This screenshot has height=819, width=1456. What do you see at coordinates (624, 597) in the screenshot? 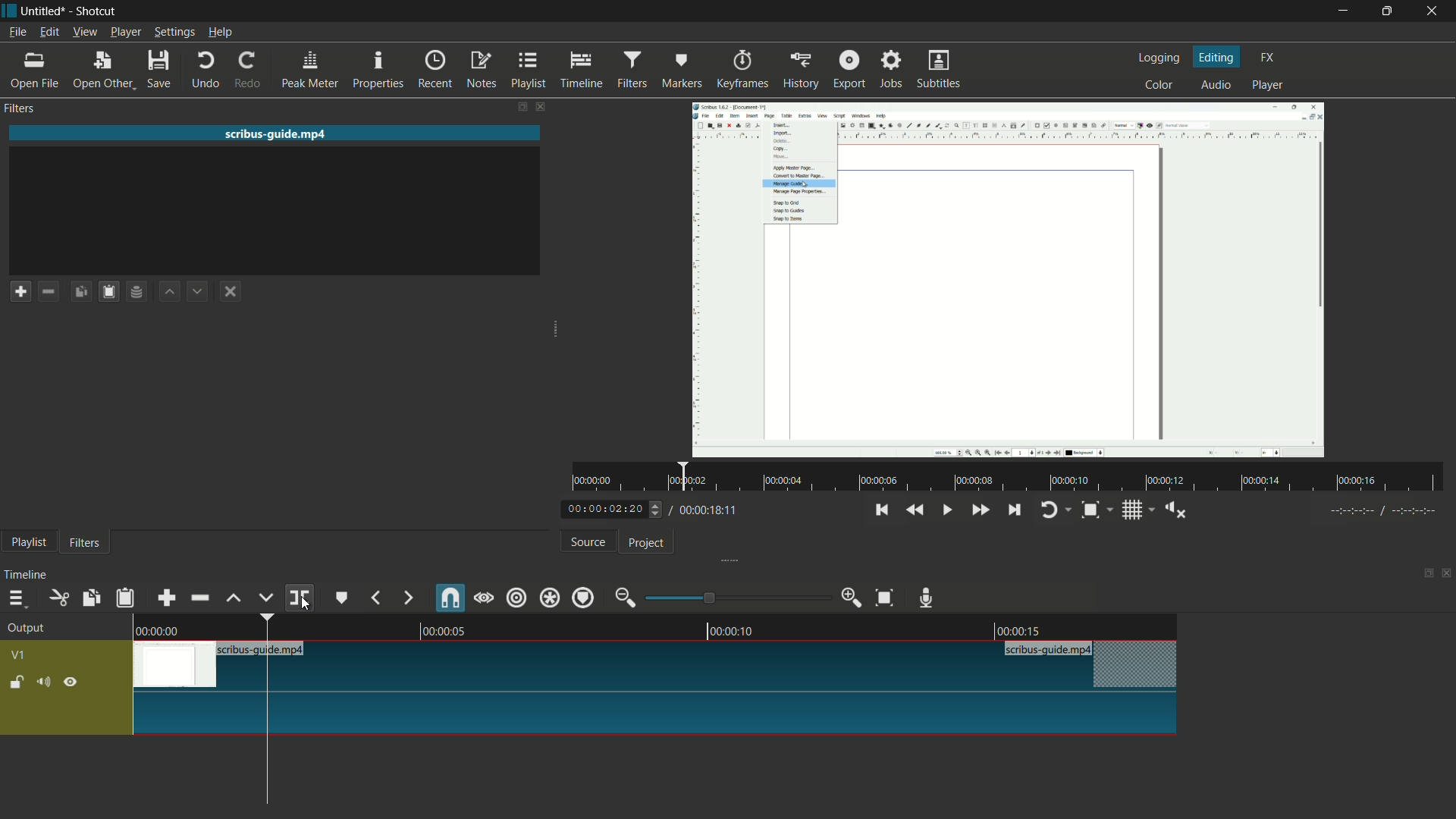
I see `zoom out` at bounding box center [624, 597].